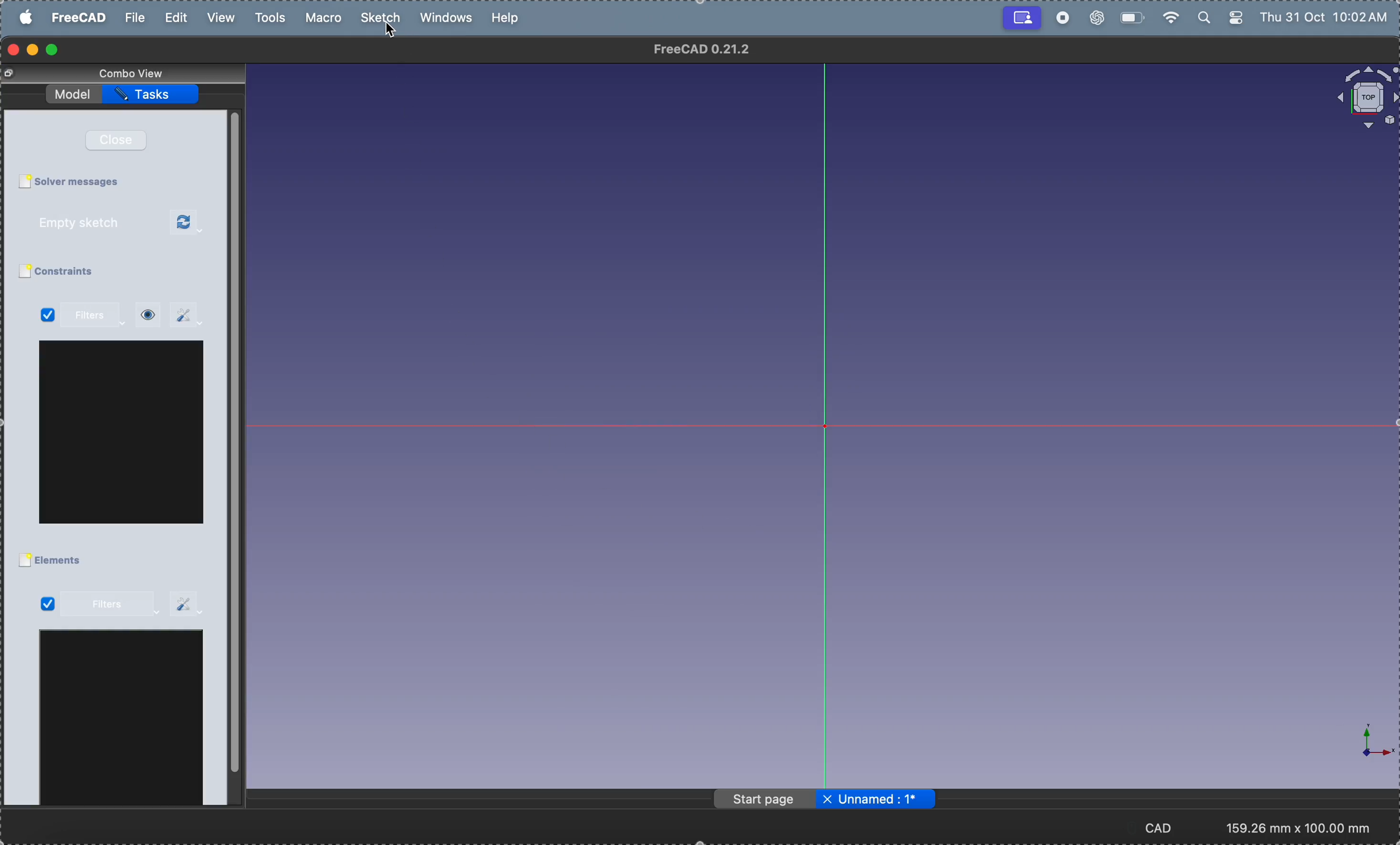 This screenshot has width=1400, height=845. Describe the element at coordinates (23, 272) in the screenshot. I see `Checkbox` at that location.